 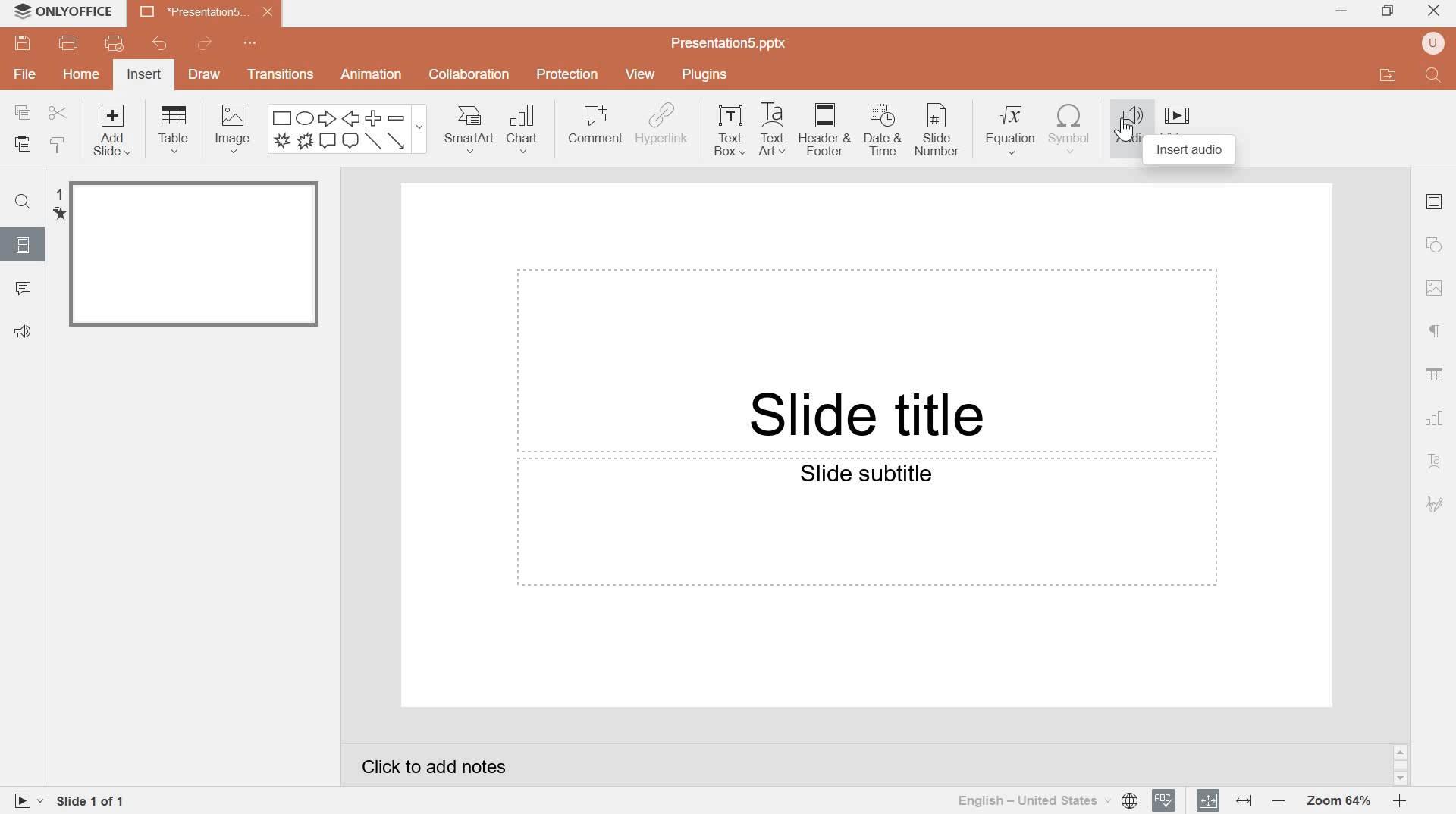 I want to click on slide settings, so click(x=1434, y=202).